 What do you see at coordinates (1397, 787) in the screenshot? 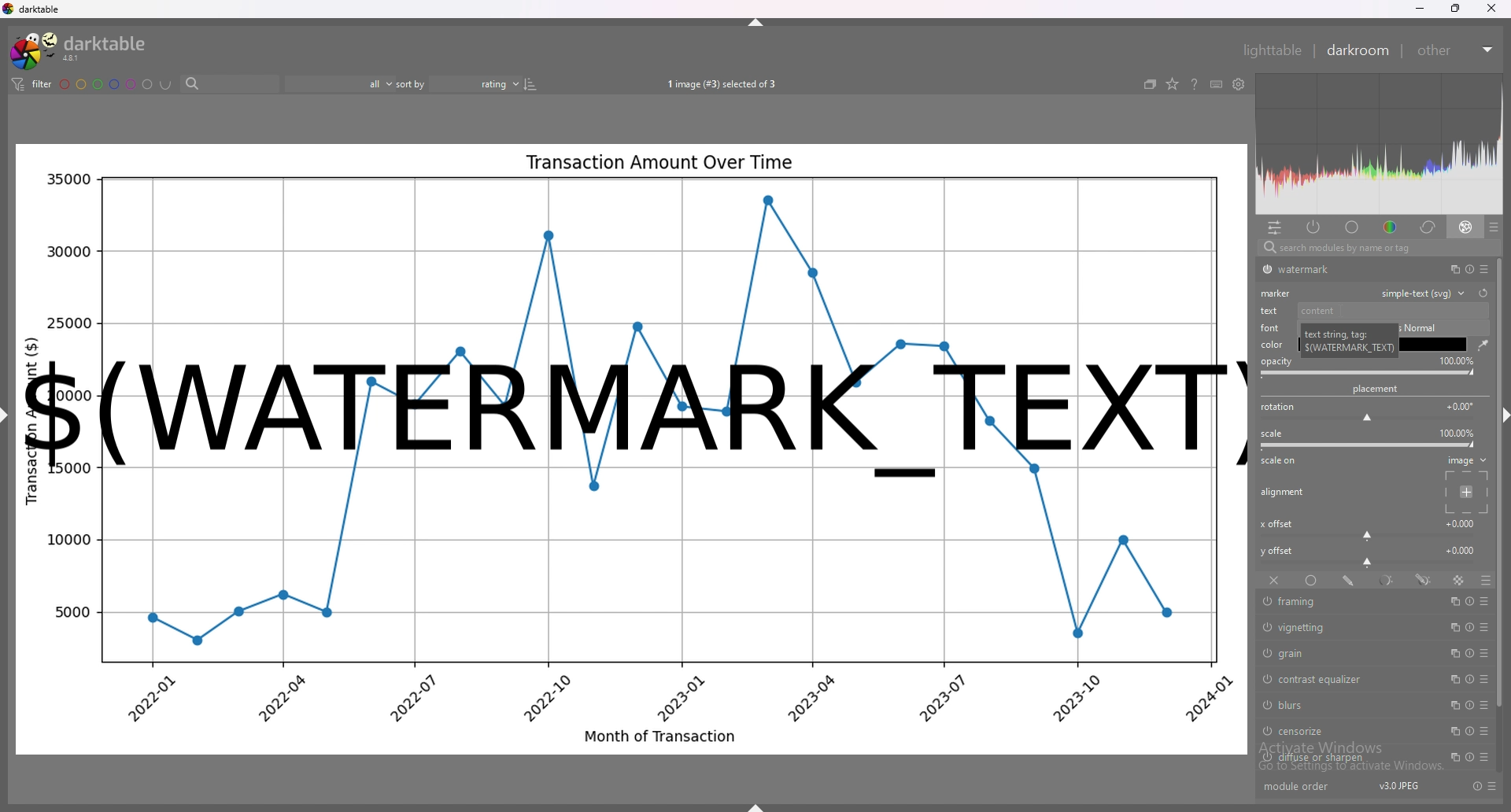
I see `version` at bounding box center [1397, 787].